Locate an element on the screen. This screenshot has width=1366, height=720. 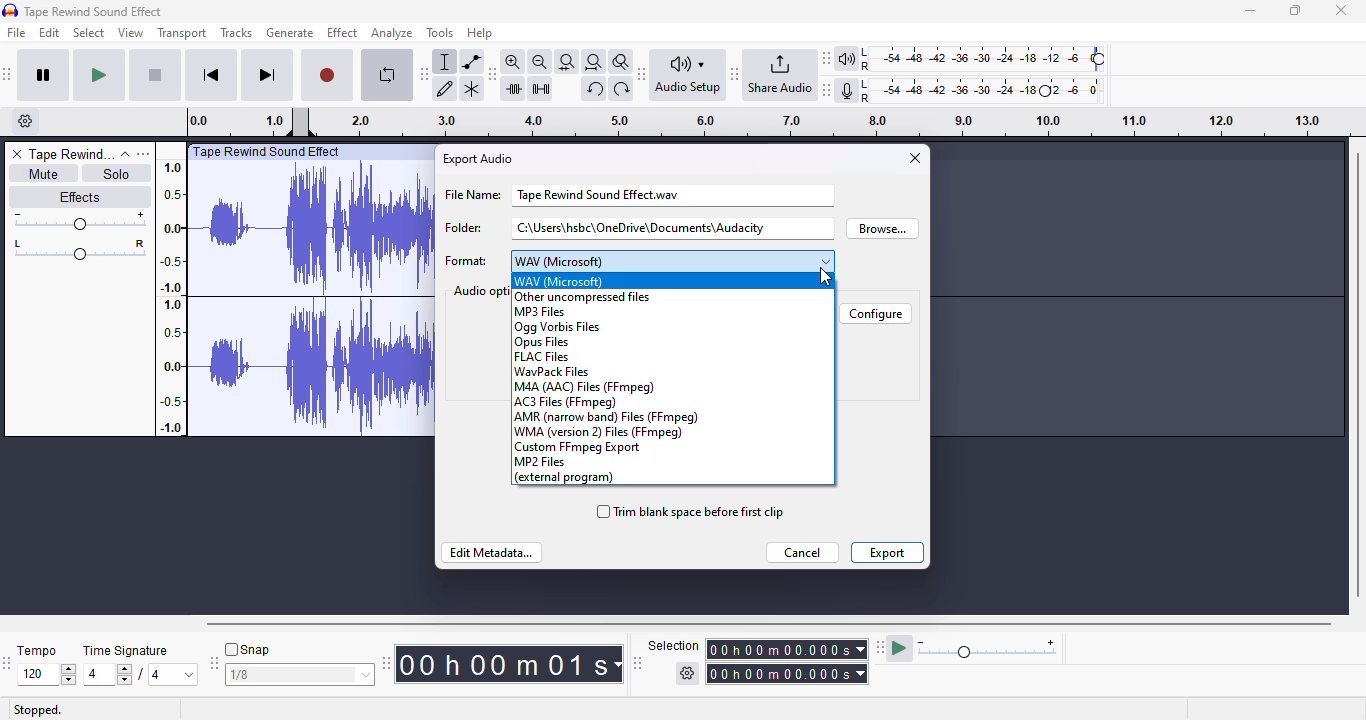
ogg vorbis files is located at coordinates (557, 328).